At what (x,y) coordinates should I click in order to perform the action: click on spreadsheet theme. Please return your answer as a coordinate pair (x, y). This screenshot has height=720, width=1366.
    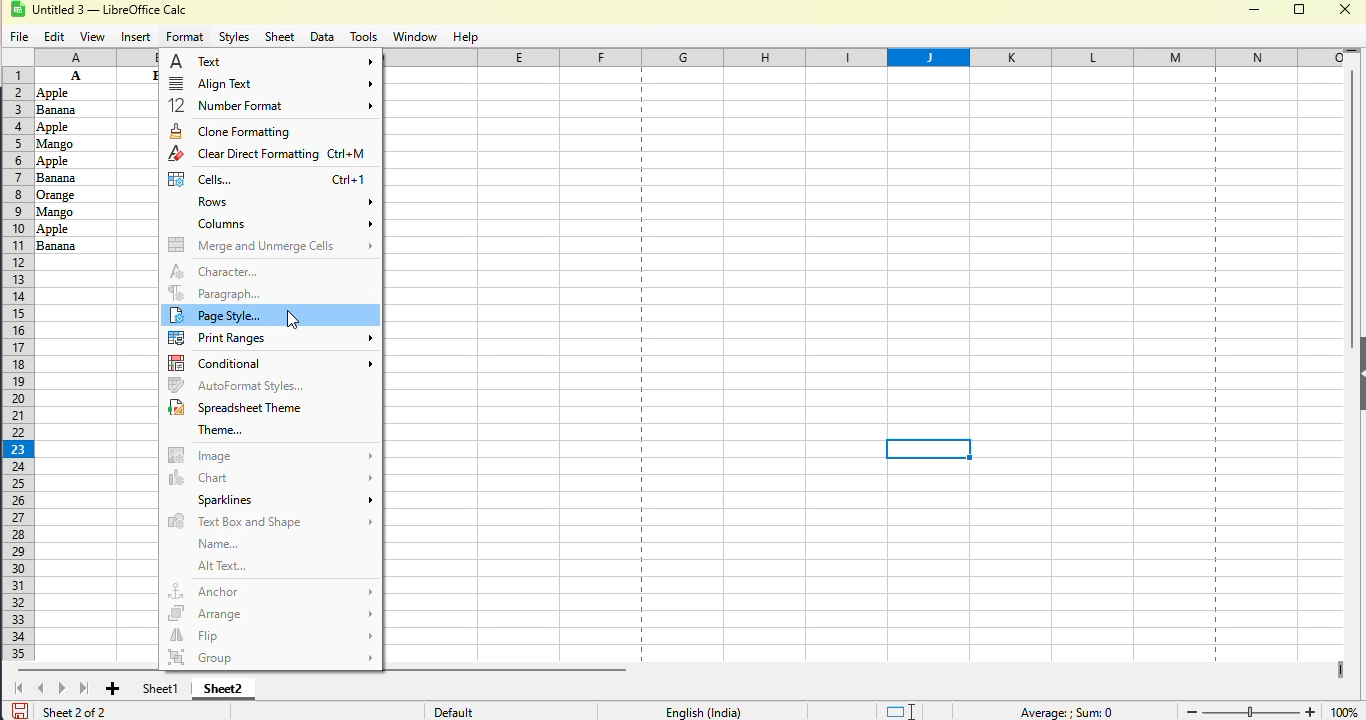
    Looking at the image, I should click on (236, 407).